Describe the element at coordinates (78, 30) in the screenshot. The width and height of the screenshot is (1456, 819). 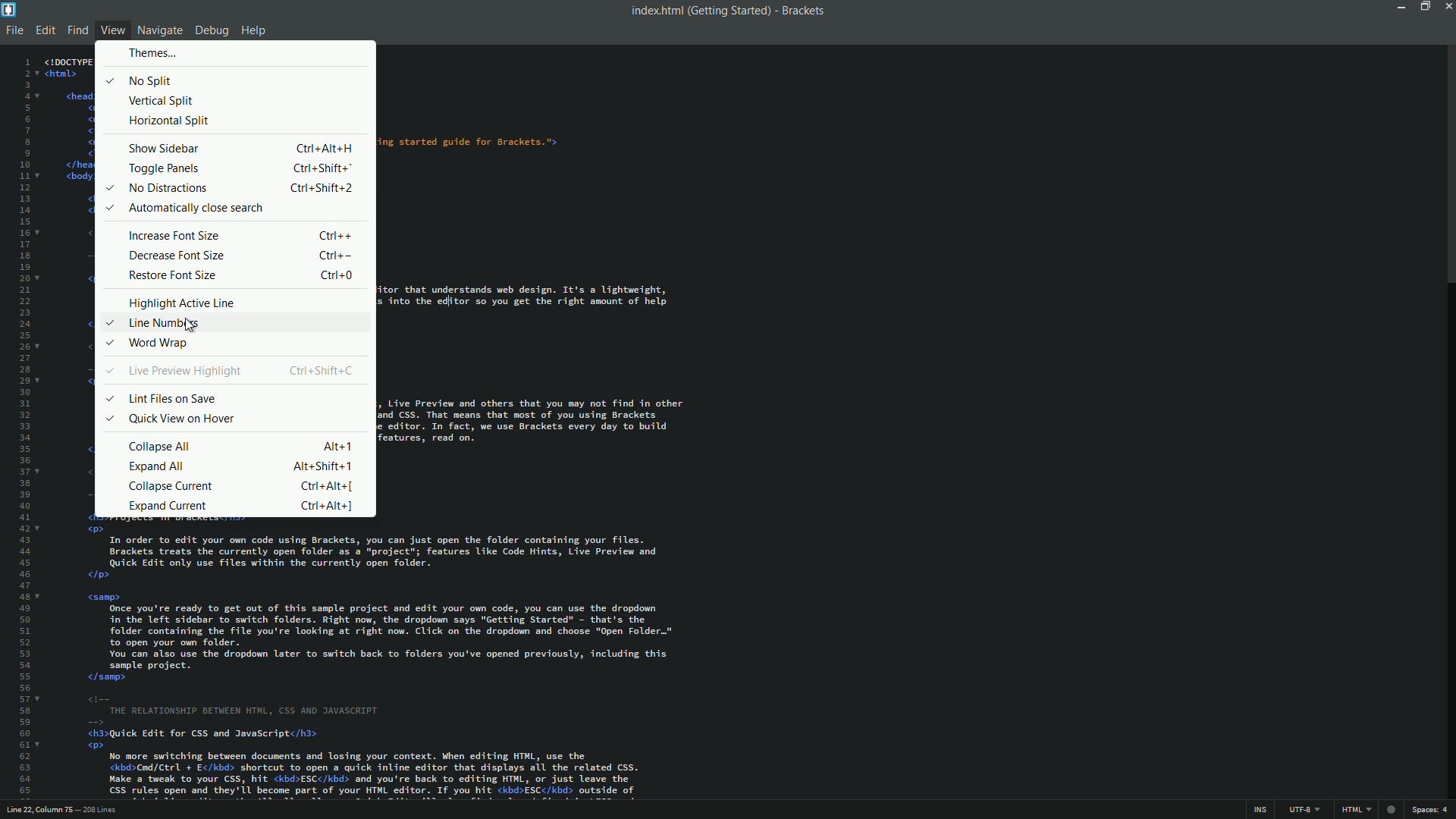
I see `find` at that location.